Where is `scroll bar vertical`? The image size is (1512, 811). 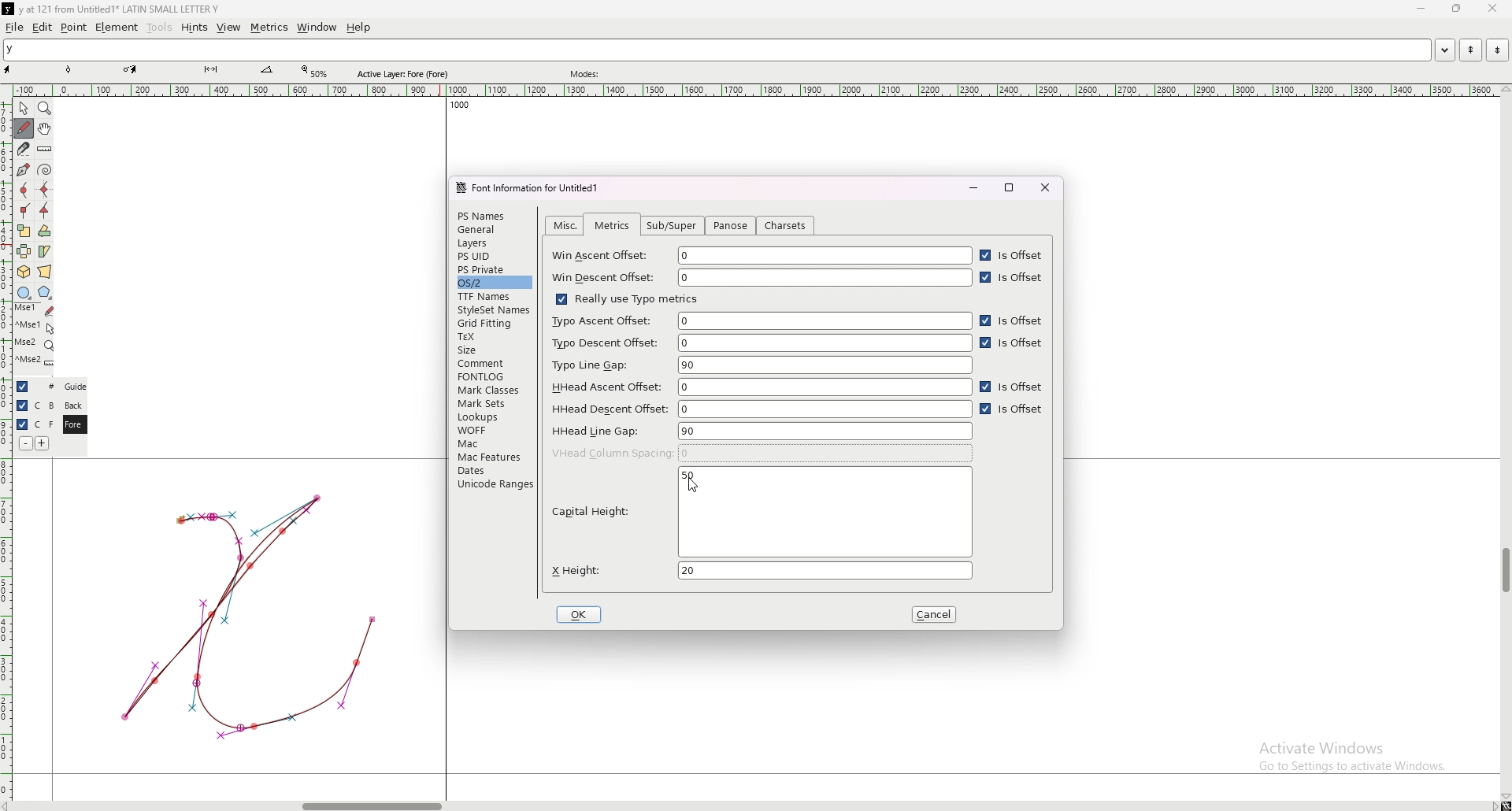 scroll bar vertical is located at coordinates (1505, 571).